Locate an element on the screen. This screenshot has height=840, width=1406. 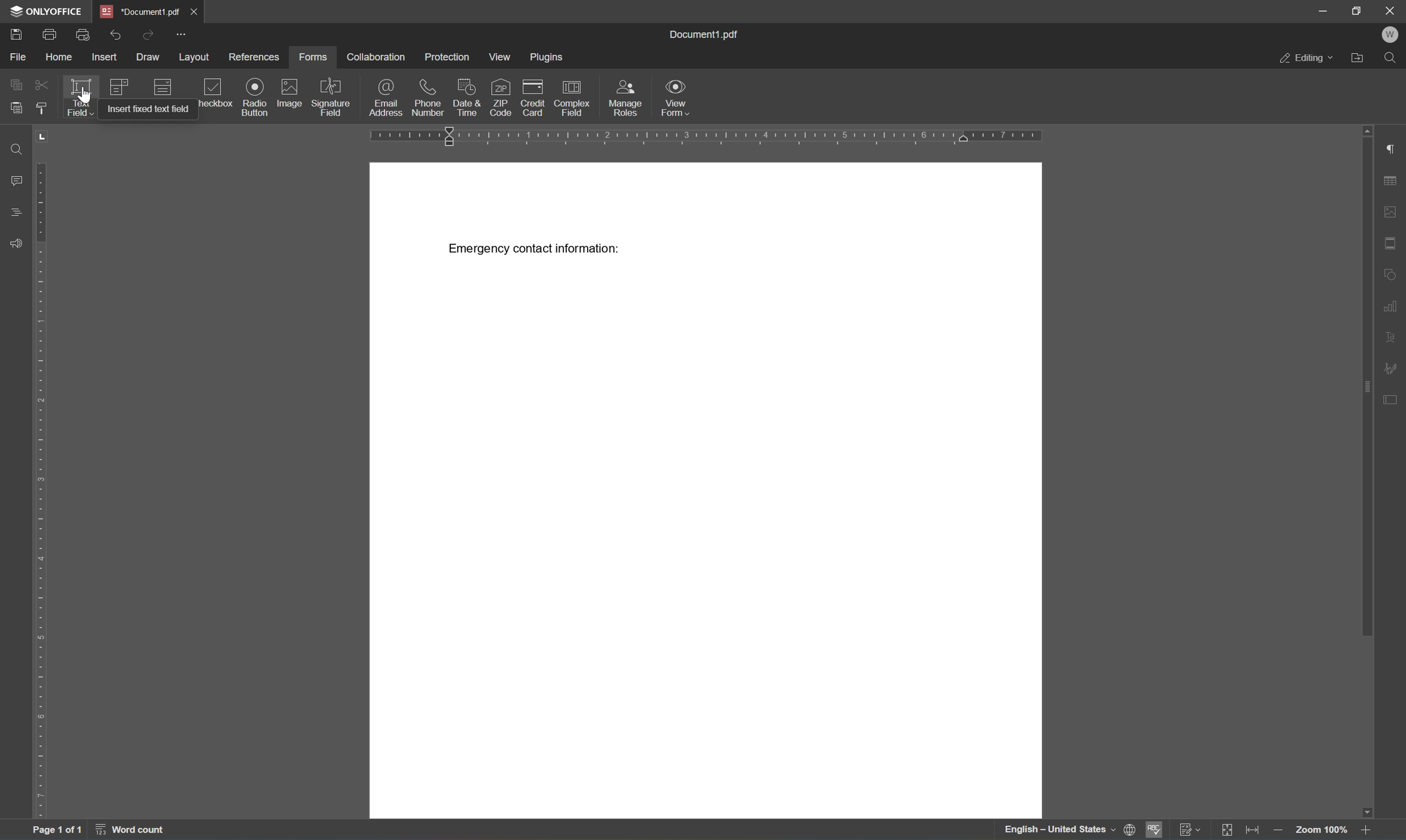
collaboration is located at coordinates (379, 56).